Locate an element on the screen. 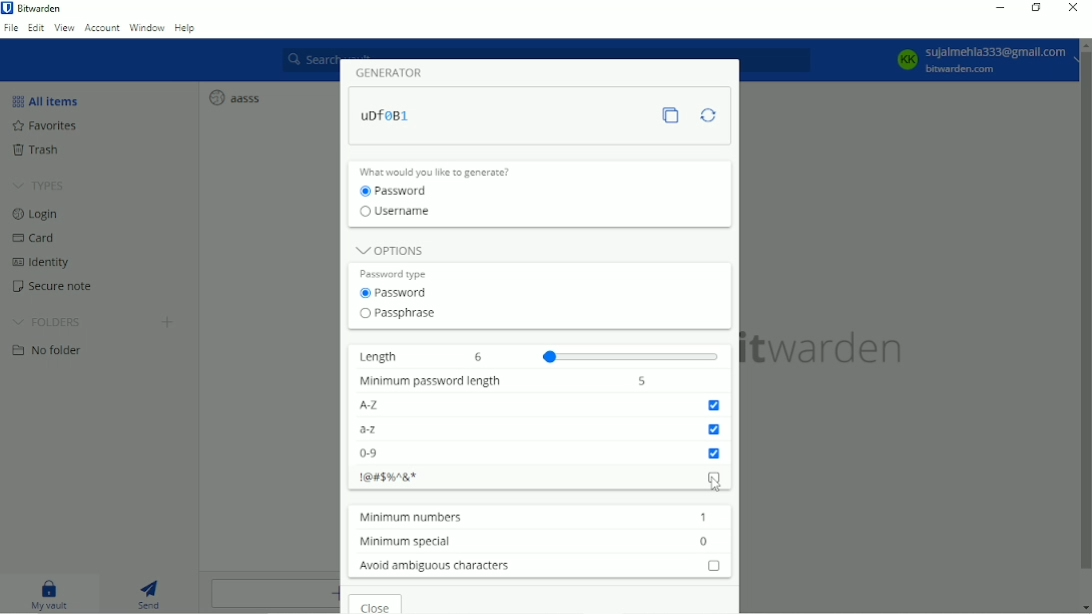  uppercase letters checkbox is located at coordinates (714, 408).